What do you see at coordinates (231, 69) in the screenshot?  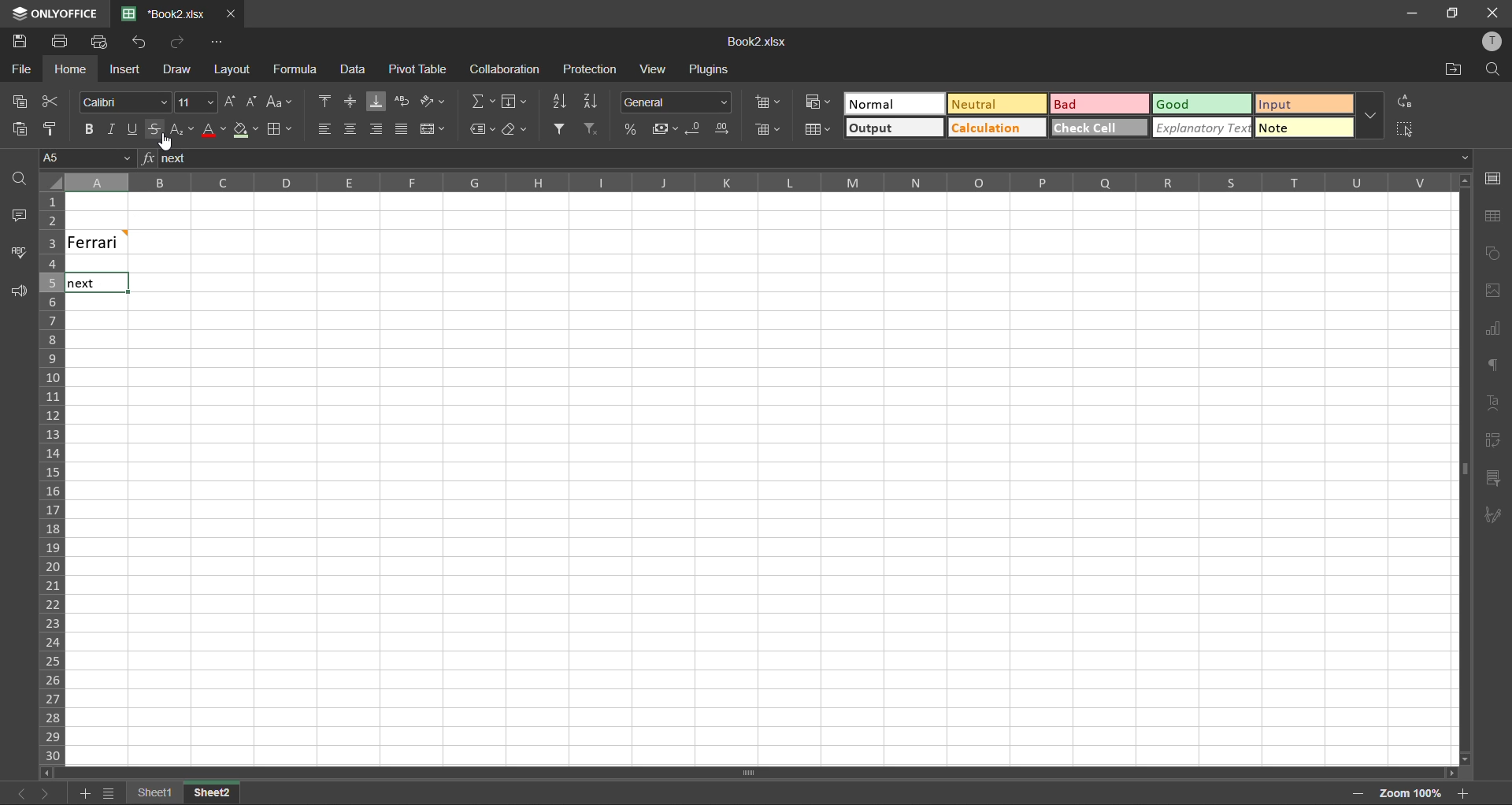 I see `layout` at bounding box center [231, 69].